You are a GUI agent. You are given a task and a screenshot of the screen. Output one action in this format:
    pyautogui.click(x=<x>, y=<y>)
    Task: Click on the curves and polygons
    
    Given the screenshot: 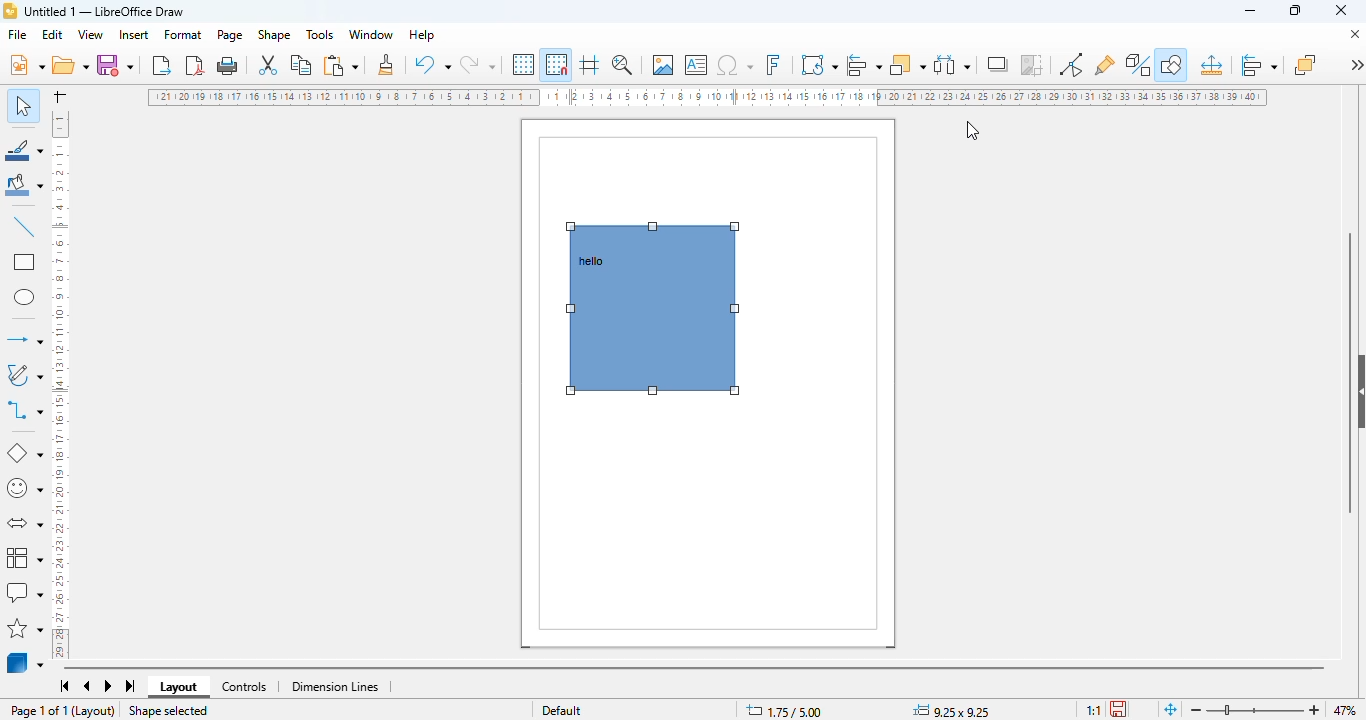 What is the action you would take?
    pyautogui.click(x=23, y=375)
    